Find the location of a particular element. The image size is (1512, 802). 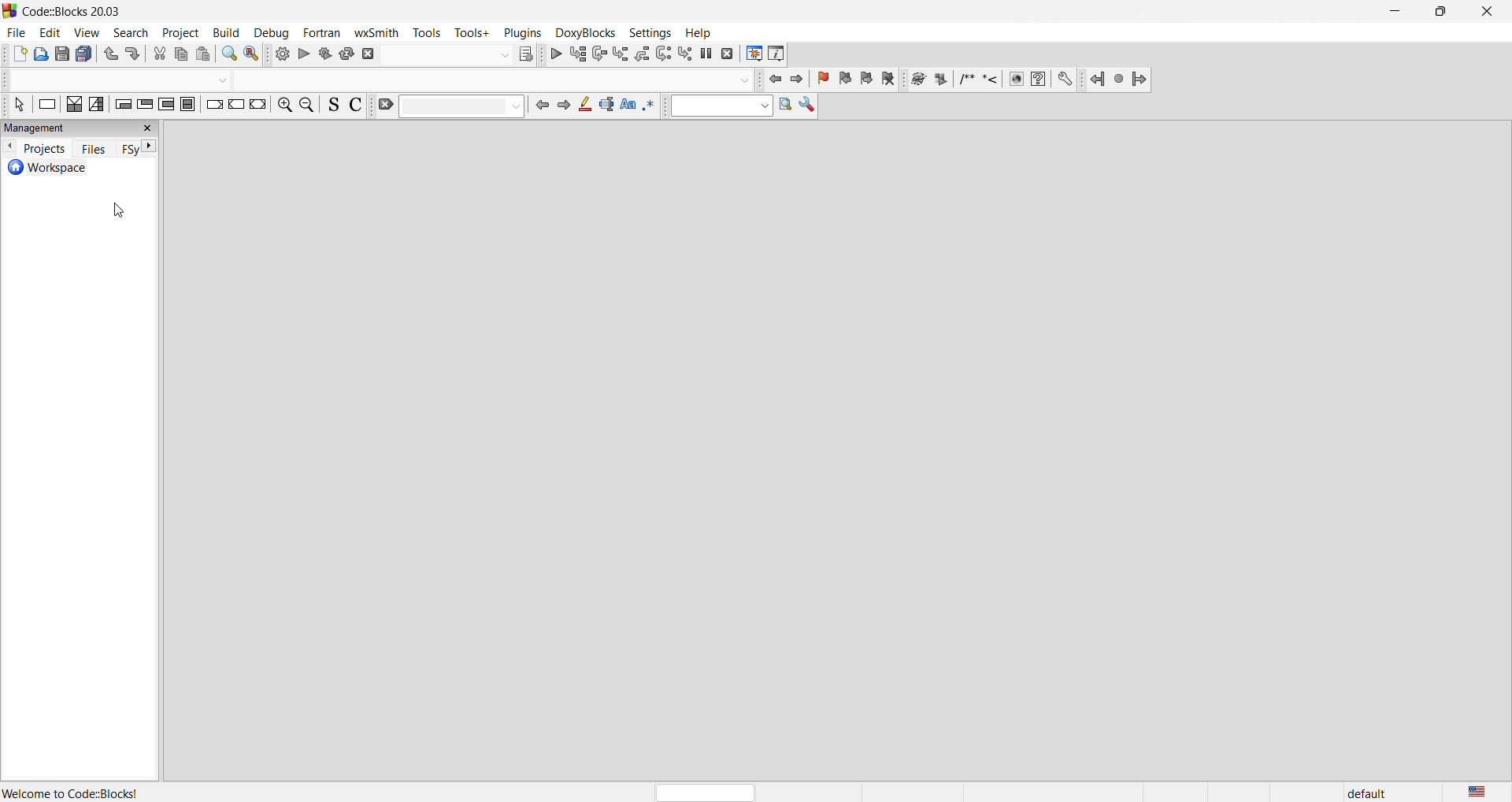

entry conditional loop is located at coordinates (123, 106).